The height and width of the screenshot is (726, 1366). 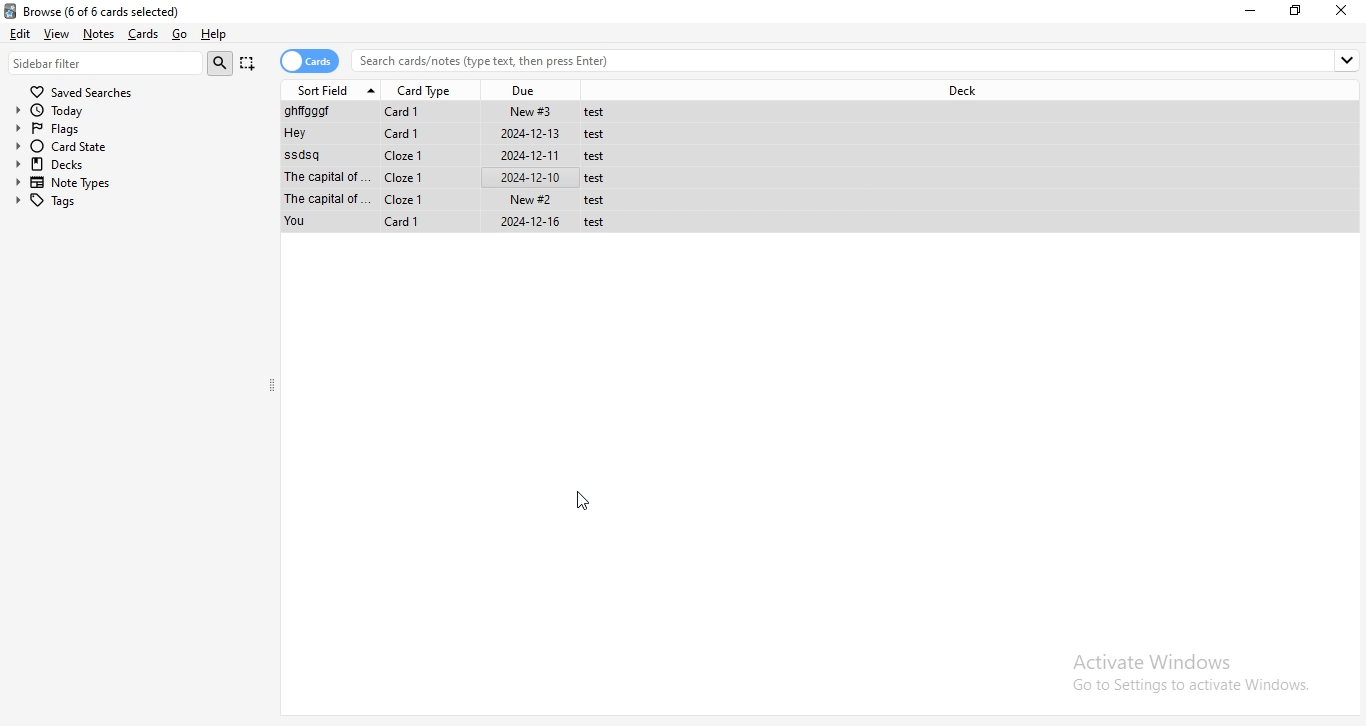 I want to click on File, so click(x=453, y=112).